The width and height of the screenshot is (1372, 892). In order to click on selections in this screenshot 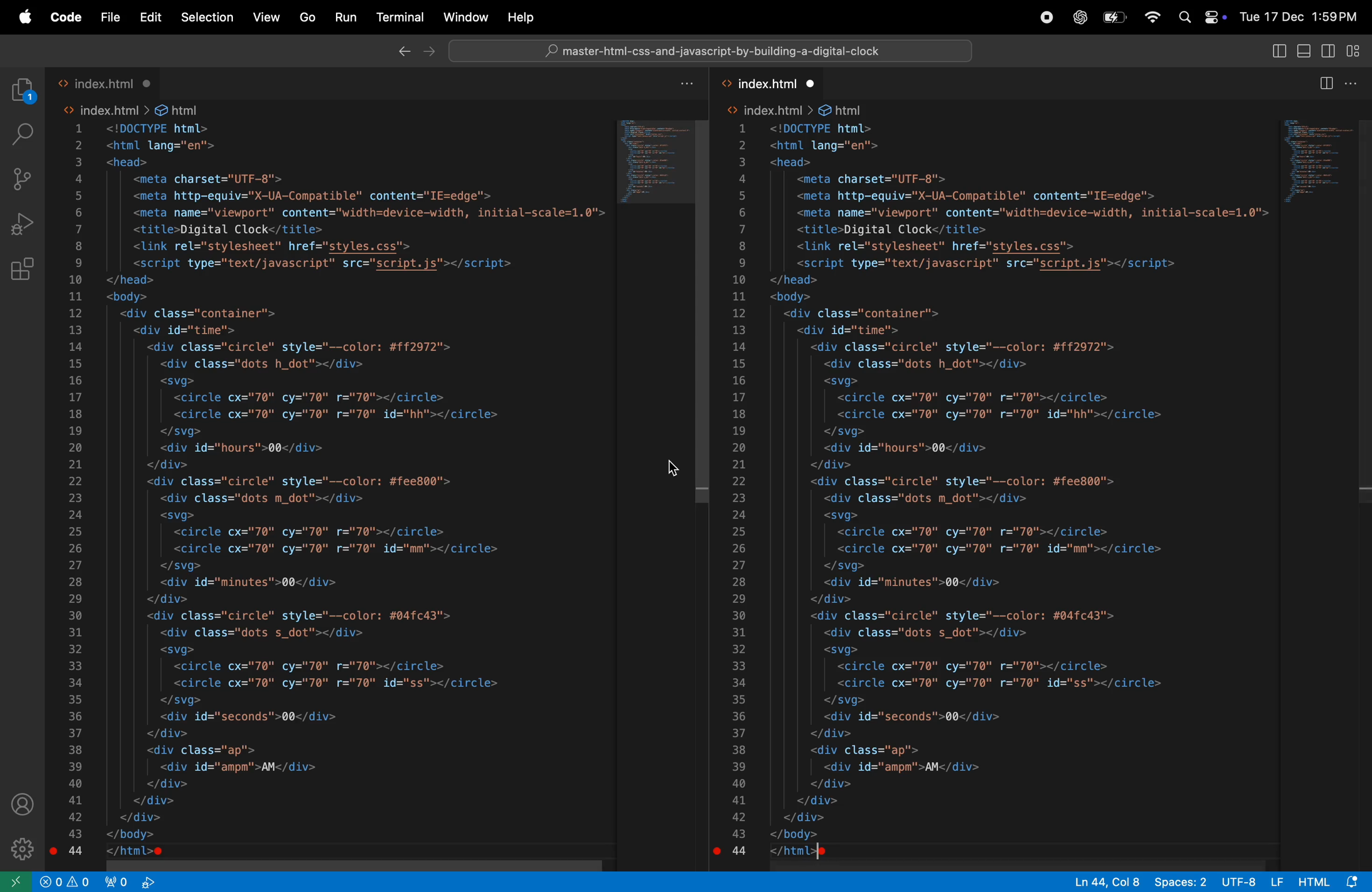, I will do `click(206, 18)`.